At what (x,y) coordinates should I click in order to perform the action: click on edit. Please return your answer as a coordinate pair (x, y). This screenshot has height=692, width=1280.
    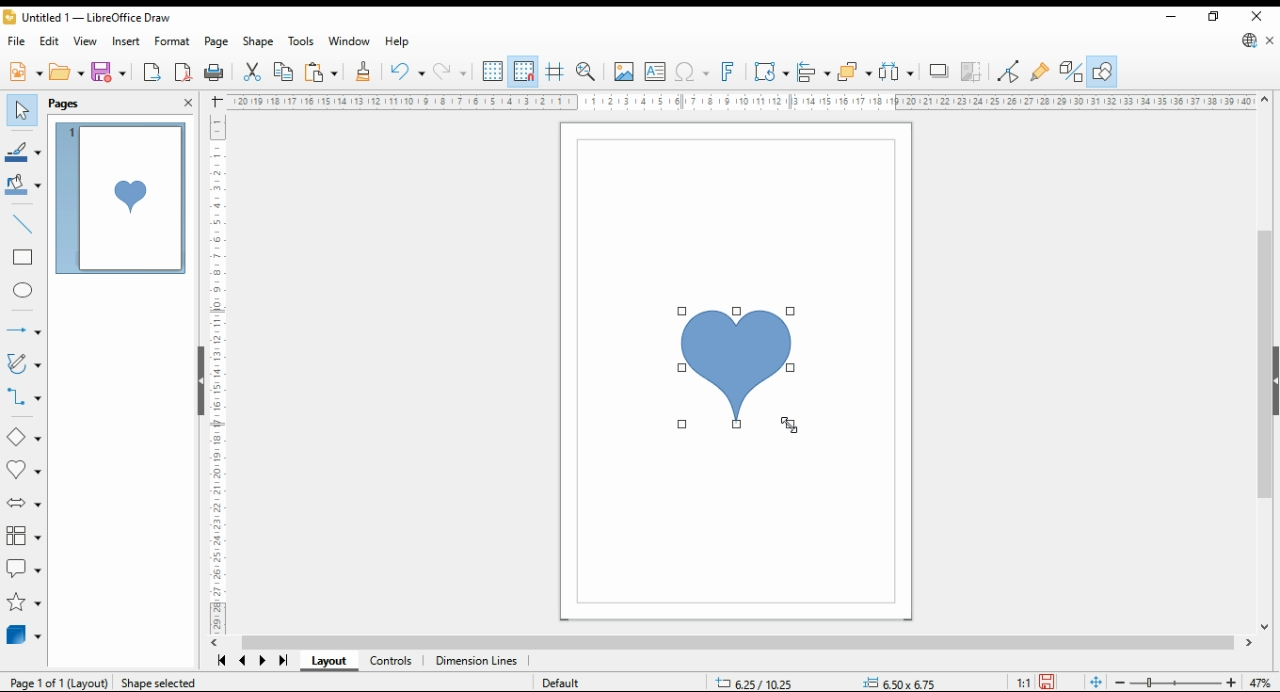
    Looking at the image, I should click on (49, 42).